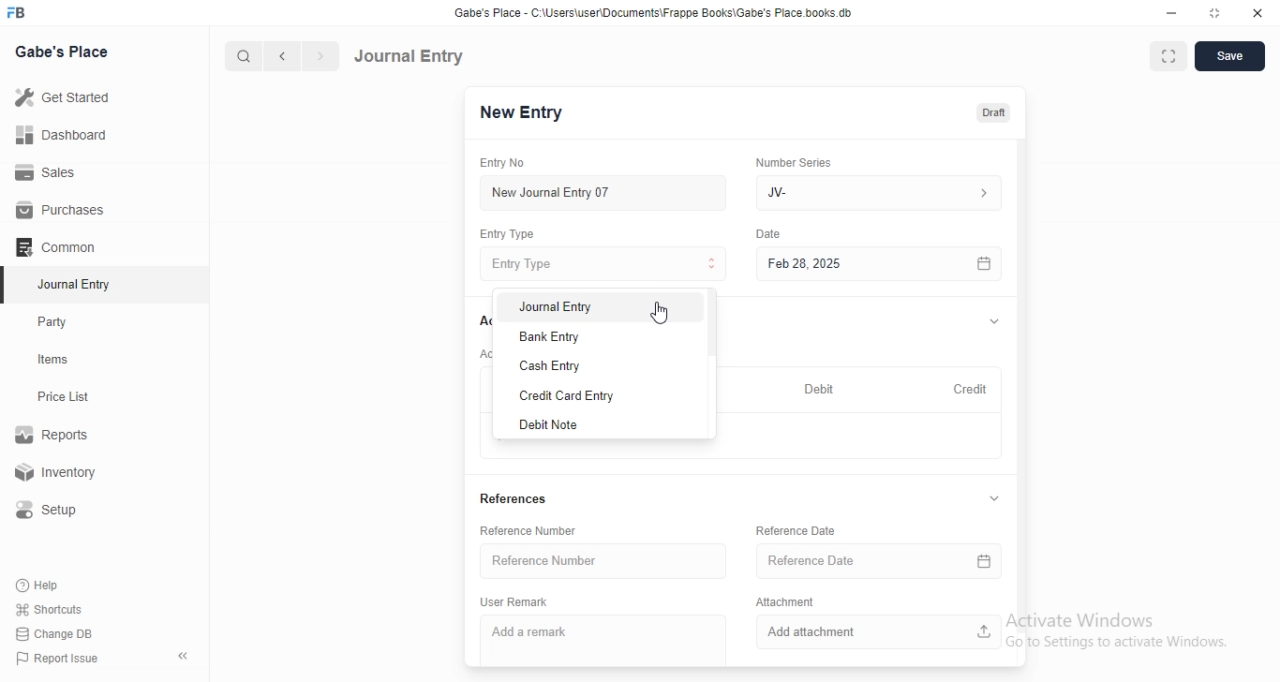 The image size is (1280, 682). I want to click on fullscreen, so click(1169, 58).